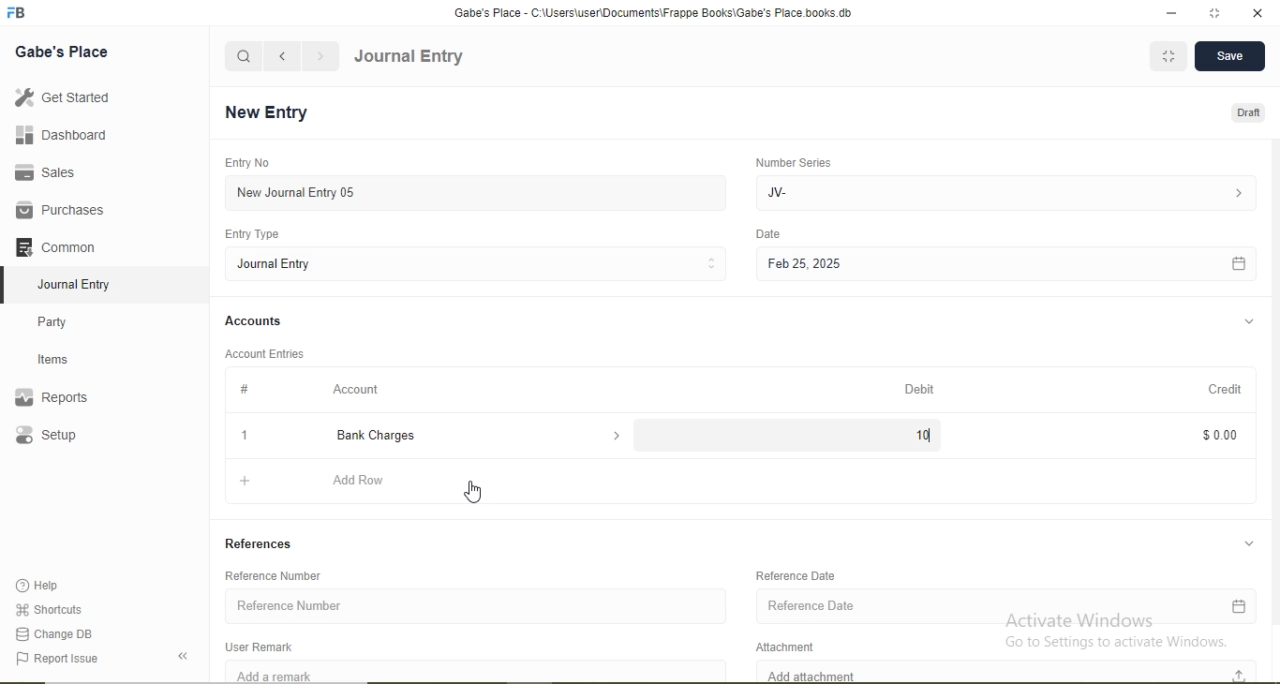  I want to click on Add attachment, so click(1011, 671).